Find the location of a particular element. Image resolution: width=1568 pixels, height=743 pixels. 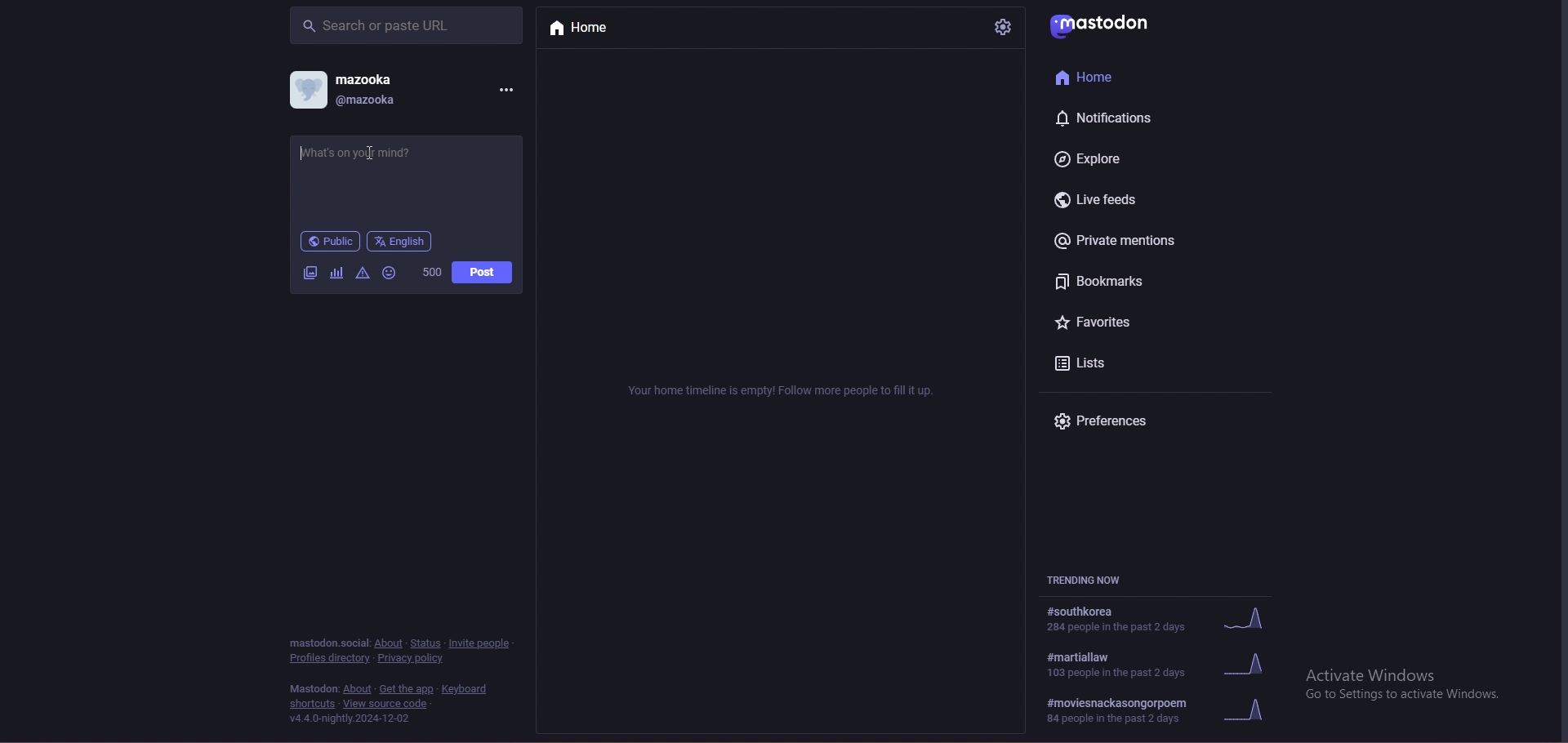

version is located at coordinates (354, 719).